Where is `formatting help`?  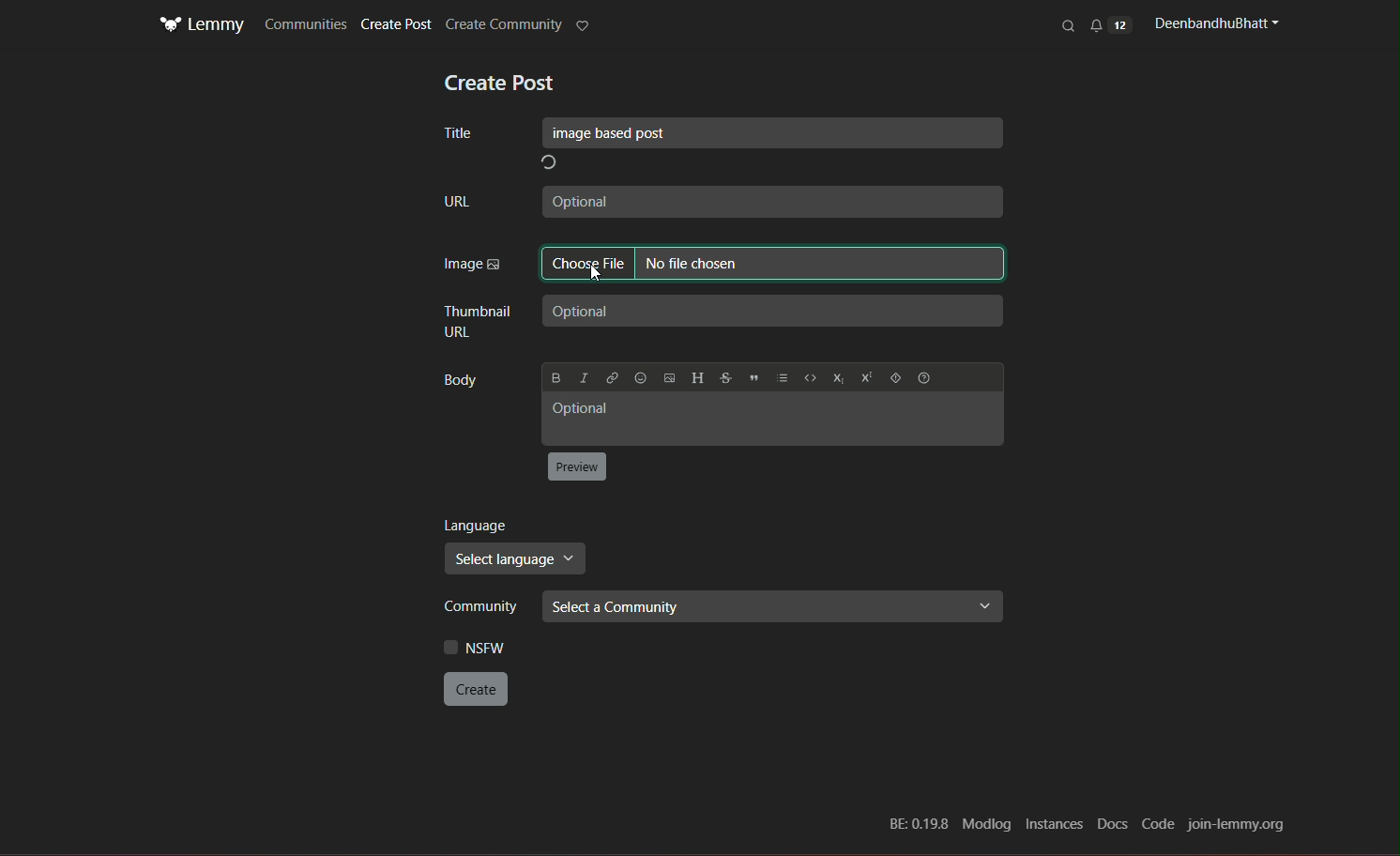
formatting help is located at coordinates (893, 377).